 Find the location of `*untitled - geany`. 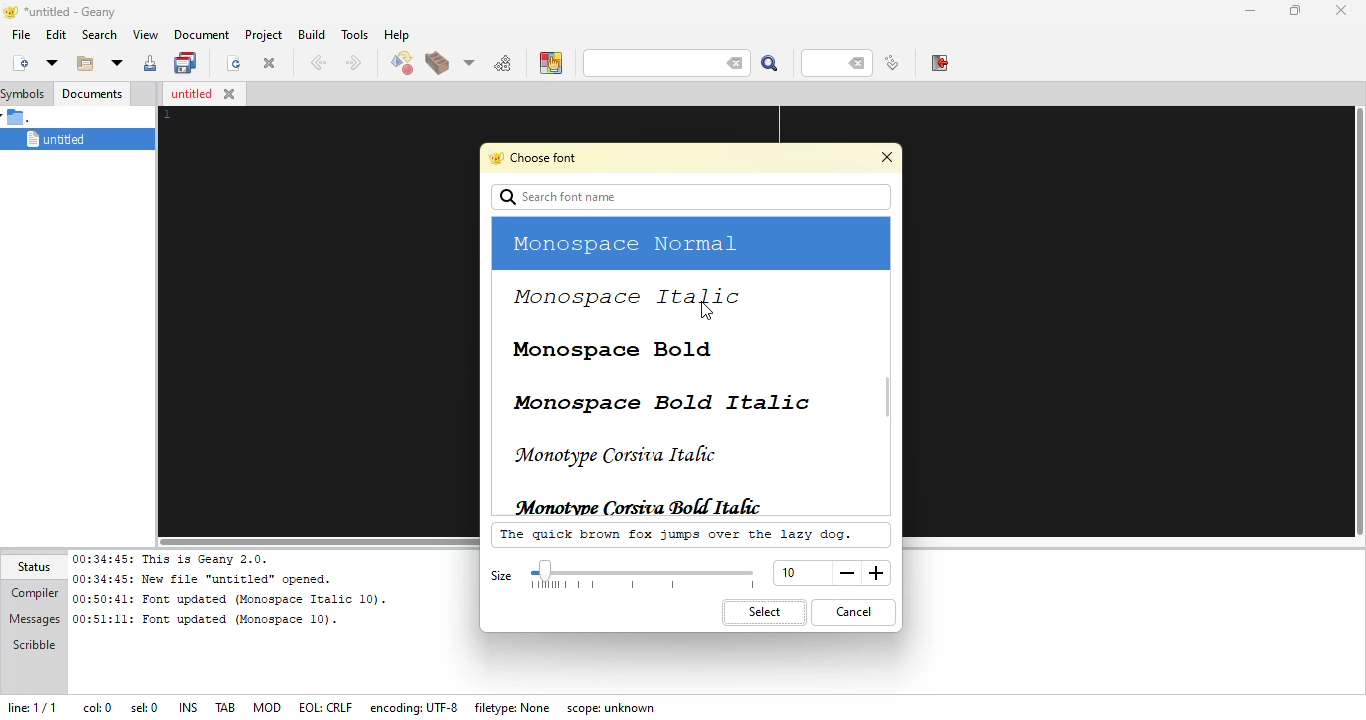

*untitled - geany is located at coordinates (81, 11).